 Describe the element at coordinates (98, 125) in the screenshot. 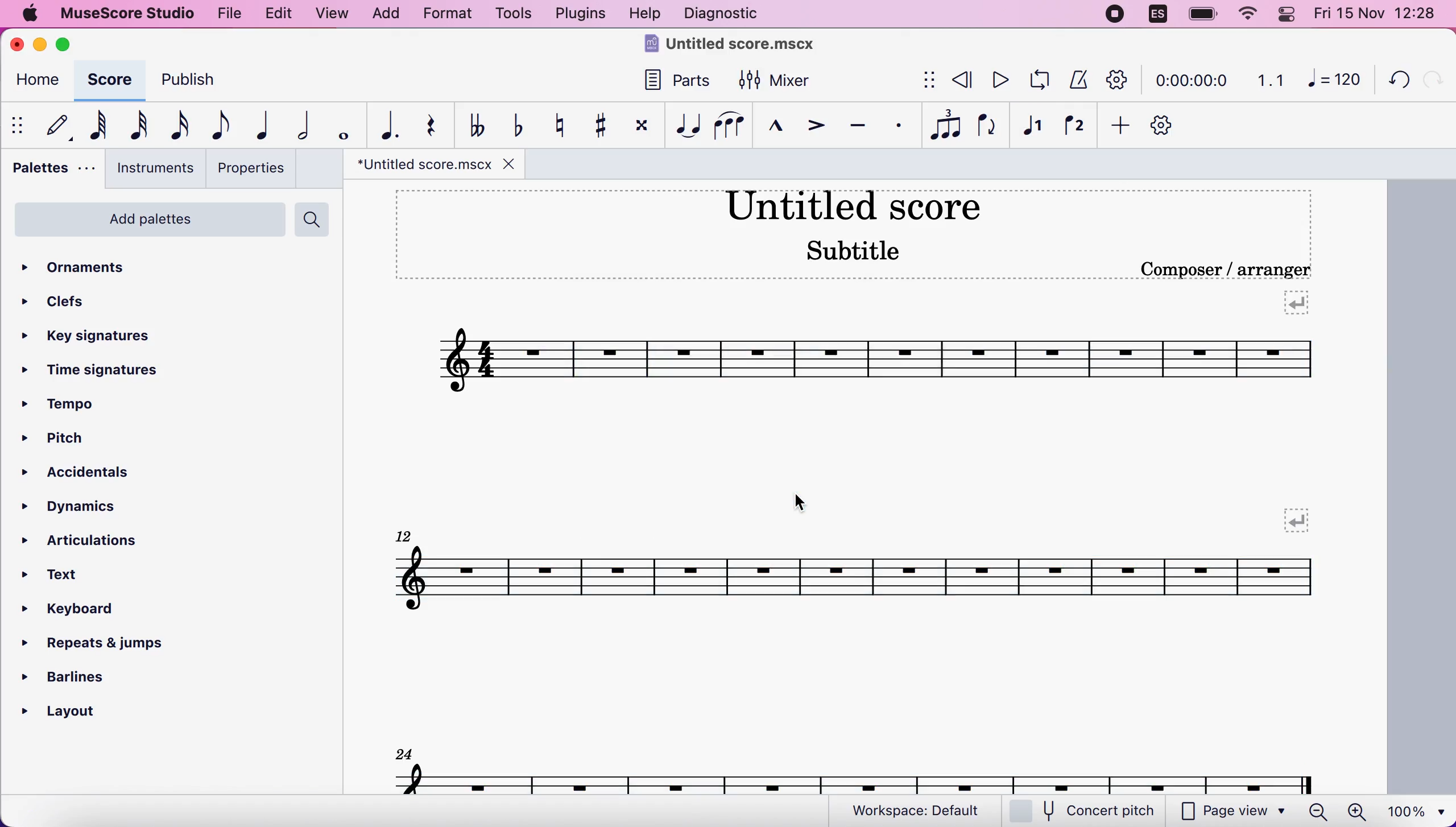

I see `64th note` at that location.